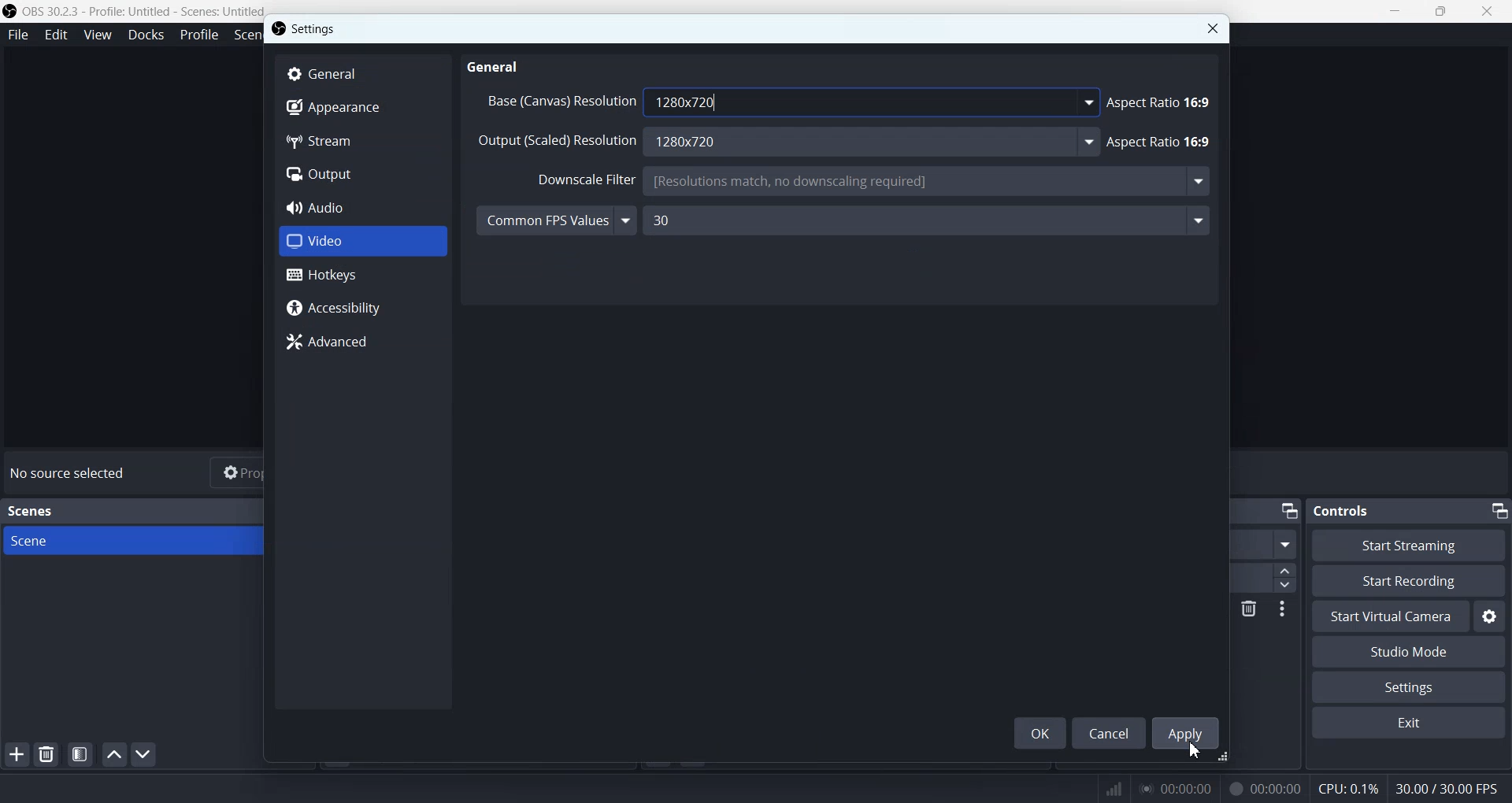 Image resolution: width=1512 pixels, height=803 pixels. Describe the element at coordinates (364, 72) in the screenshot. I see `General` at that location.